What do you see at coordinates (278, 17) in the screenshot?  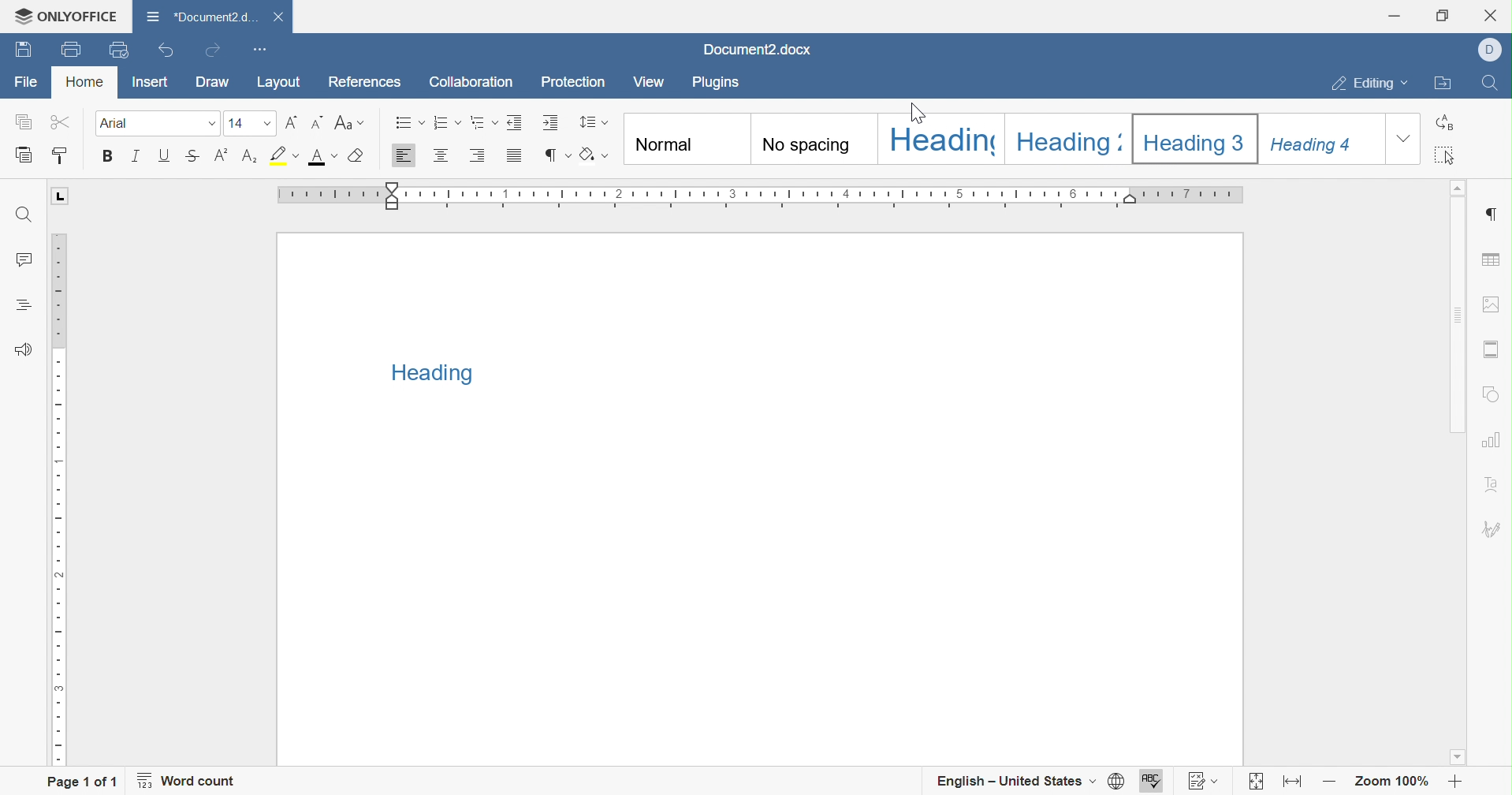 I see `Close` at bounding box center [278, 17].